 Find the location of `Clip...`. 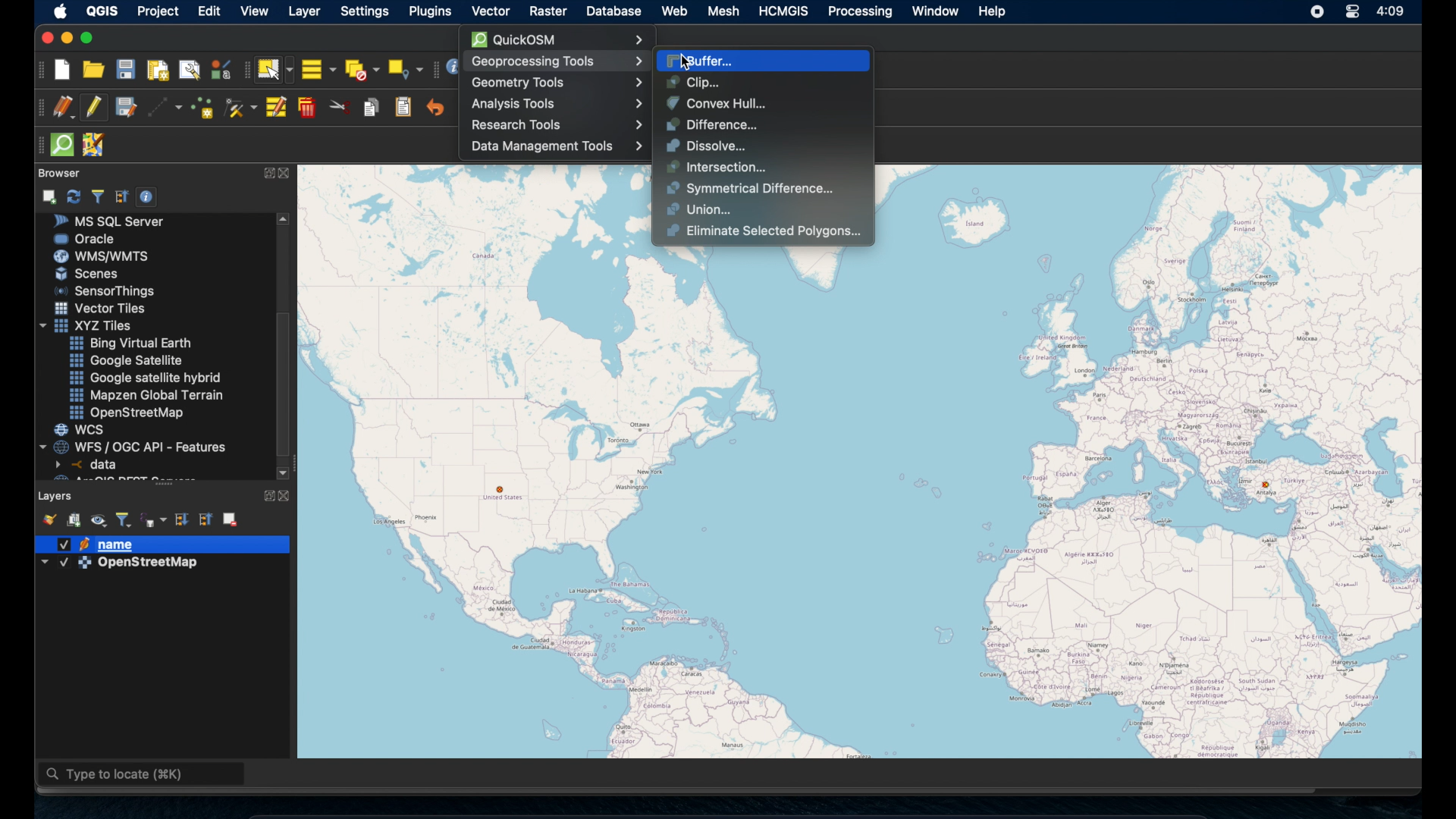

Clip... is located at coordinates (691, 81).